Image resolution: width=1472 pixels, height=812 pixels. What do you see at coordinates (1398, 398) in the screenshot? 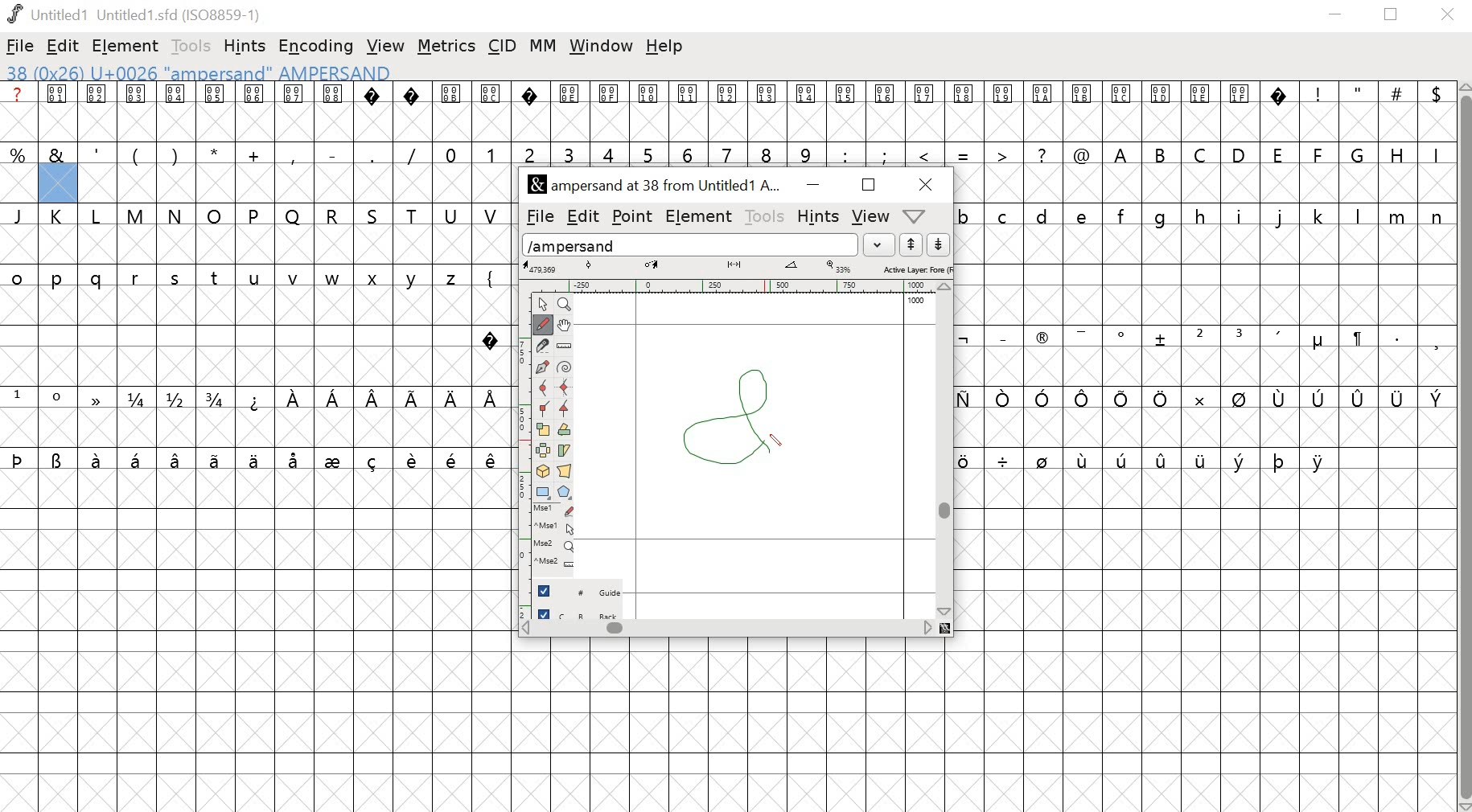
I see `symbol` at bounding box center [1398, 398].